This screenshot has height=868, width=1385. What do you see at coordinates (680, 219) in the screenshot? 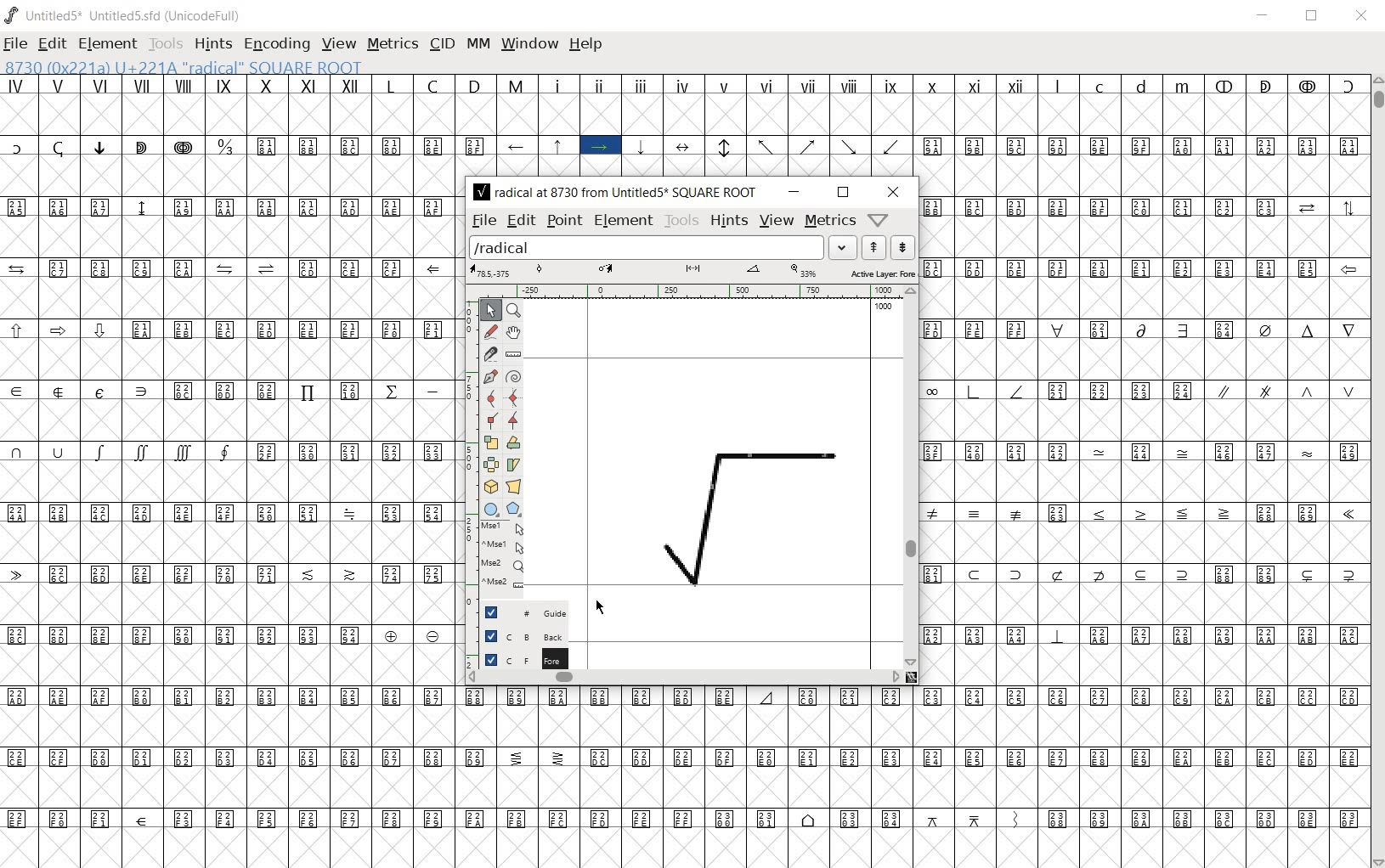
I see `tools` at bounding box center [680, 219].